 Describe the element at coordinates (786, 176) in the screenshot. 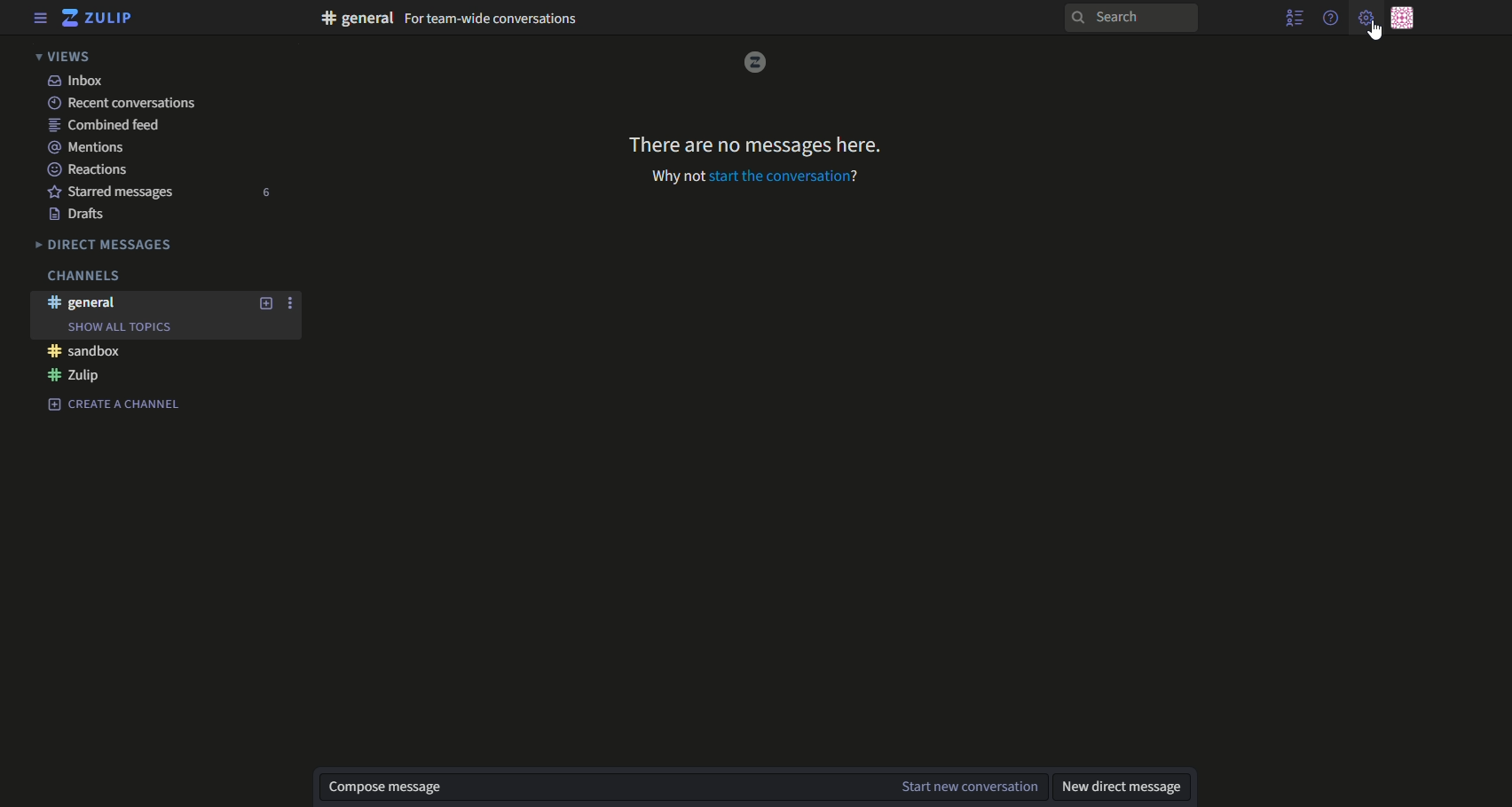

I see `start the conversation?` at that location.